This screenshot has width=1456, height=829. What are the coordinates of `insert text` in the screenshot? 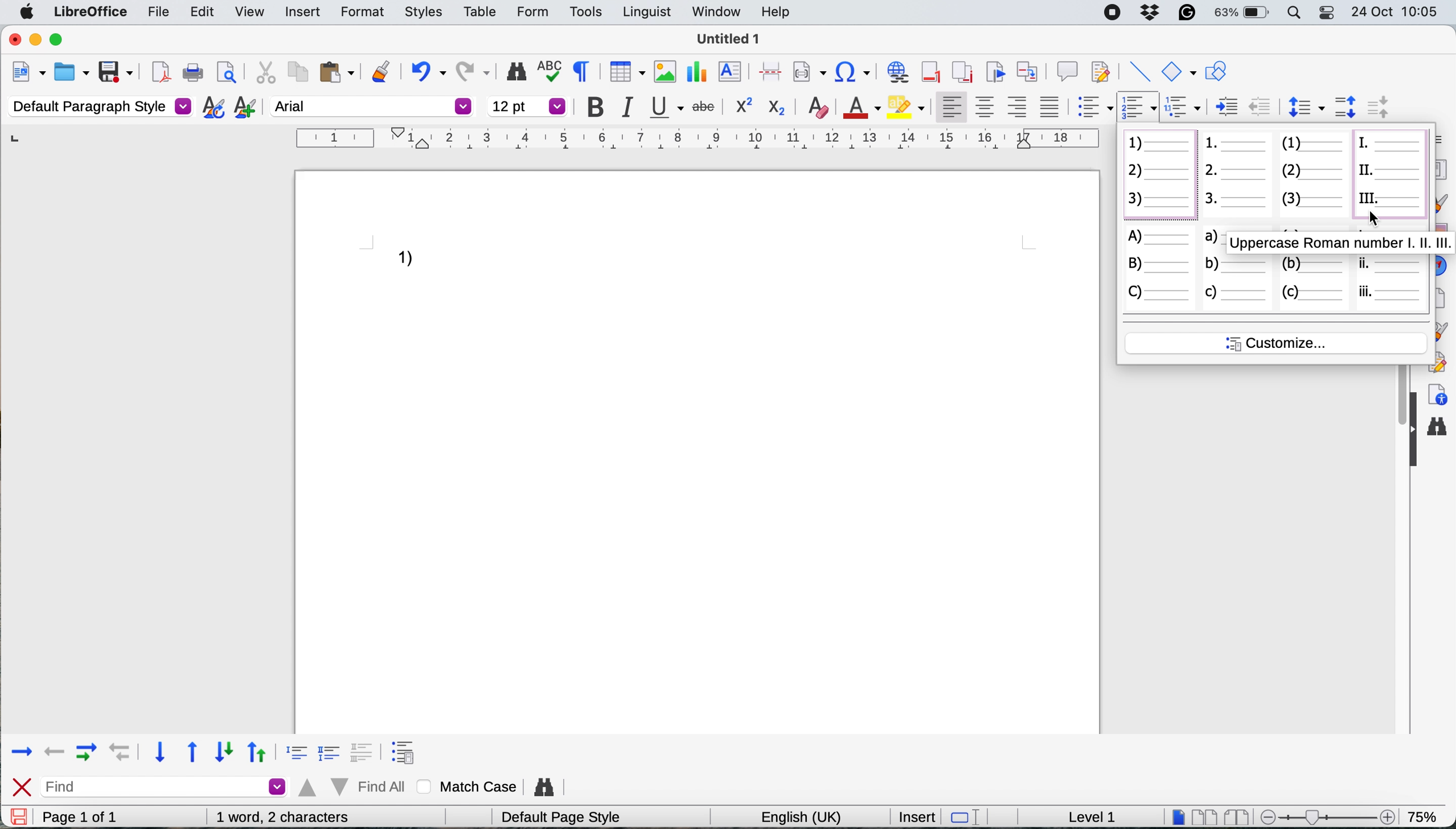 It's located at (732, 72).